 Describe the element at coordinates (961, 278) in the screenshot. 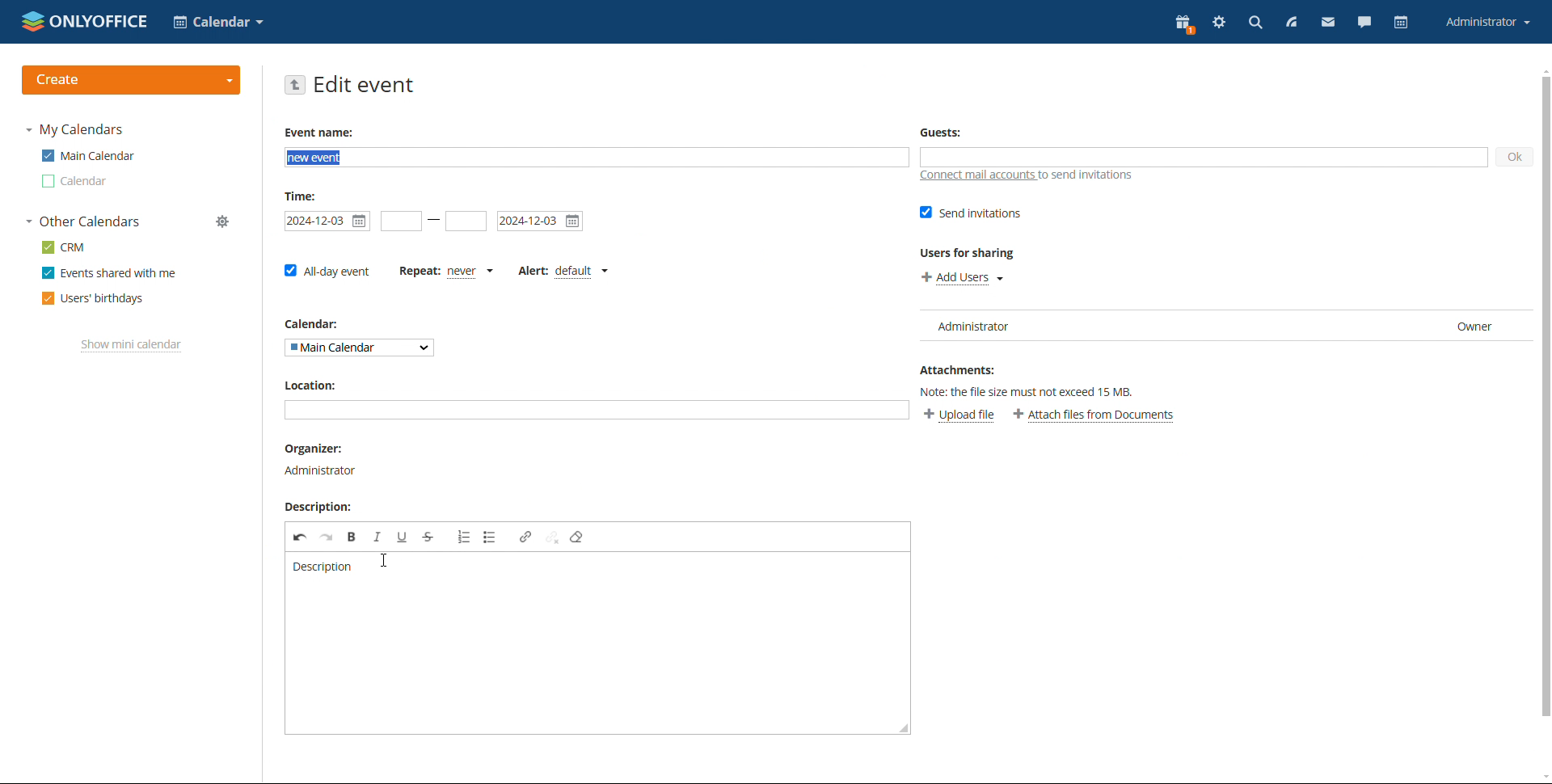

I see `add users` at that location.